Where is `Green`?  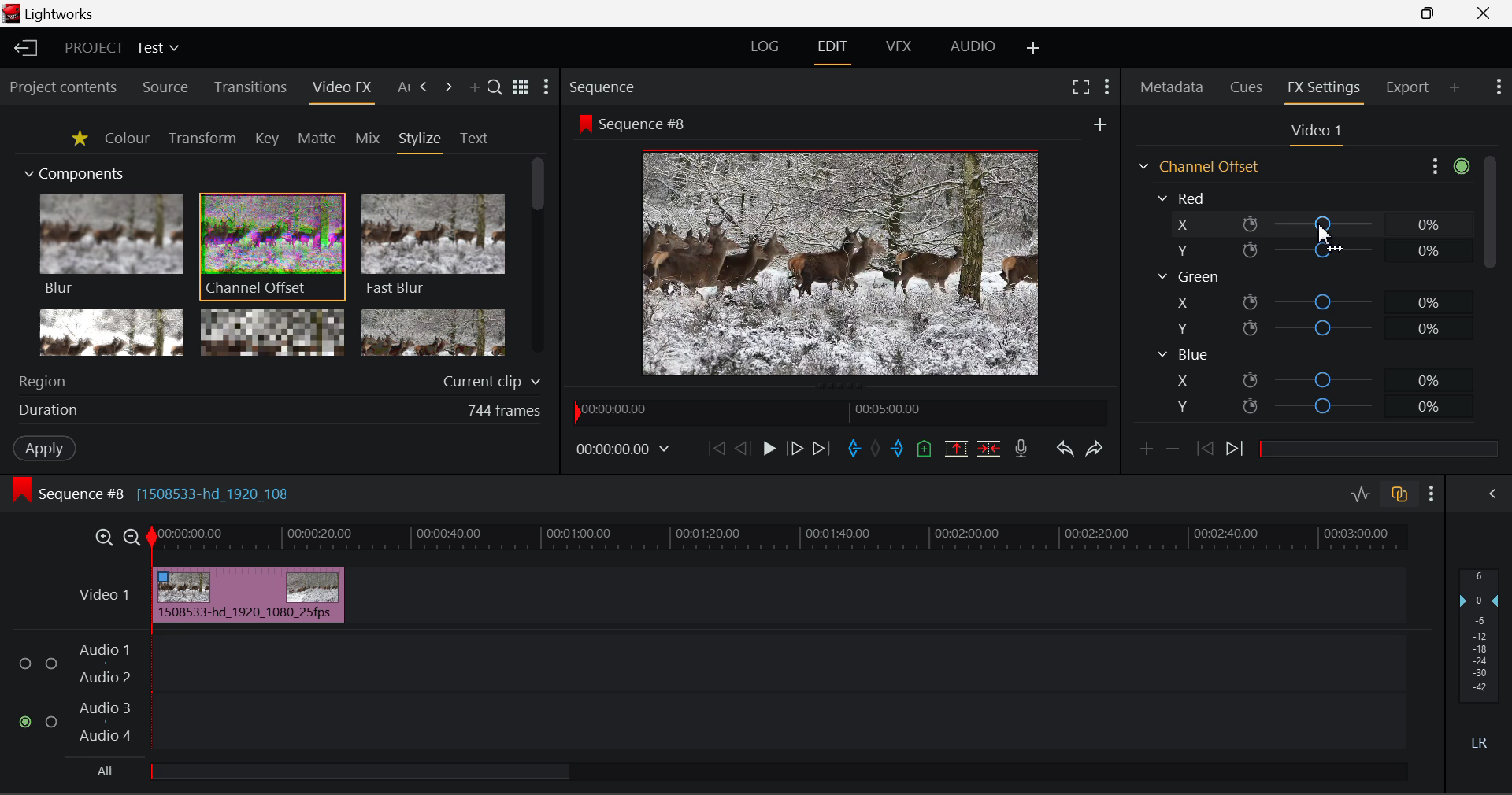 Green is located at coordinates (1188, 276).